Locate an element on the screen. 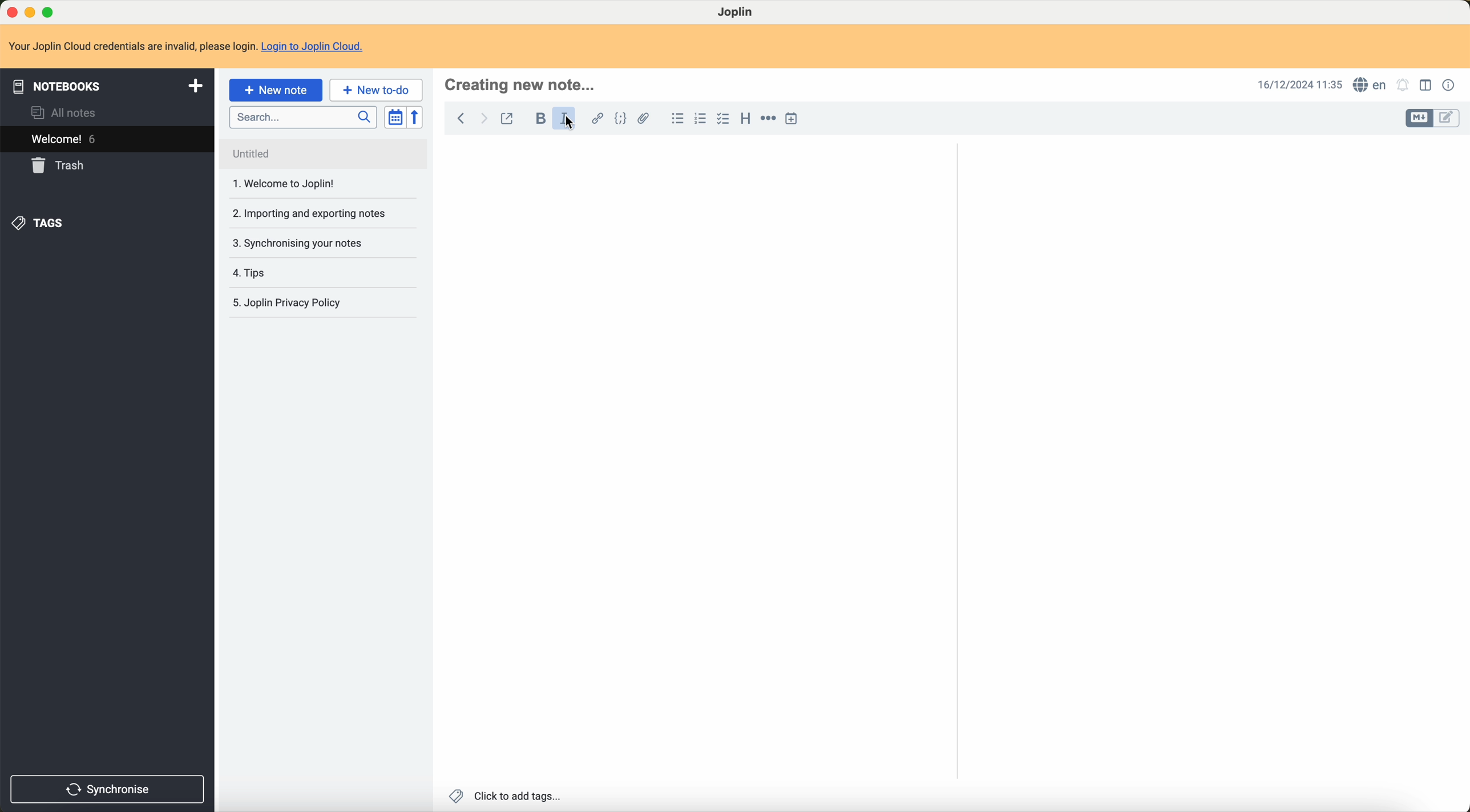  typing is located at coordinates (469, 160).